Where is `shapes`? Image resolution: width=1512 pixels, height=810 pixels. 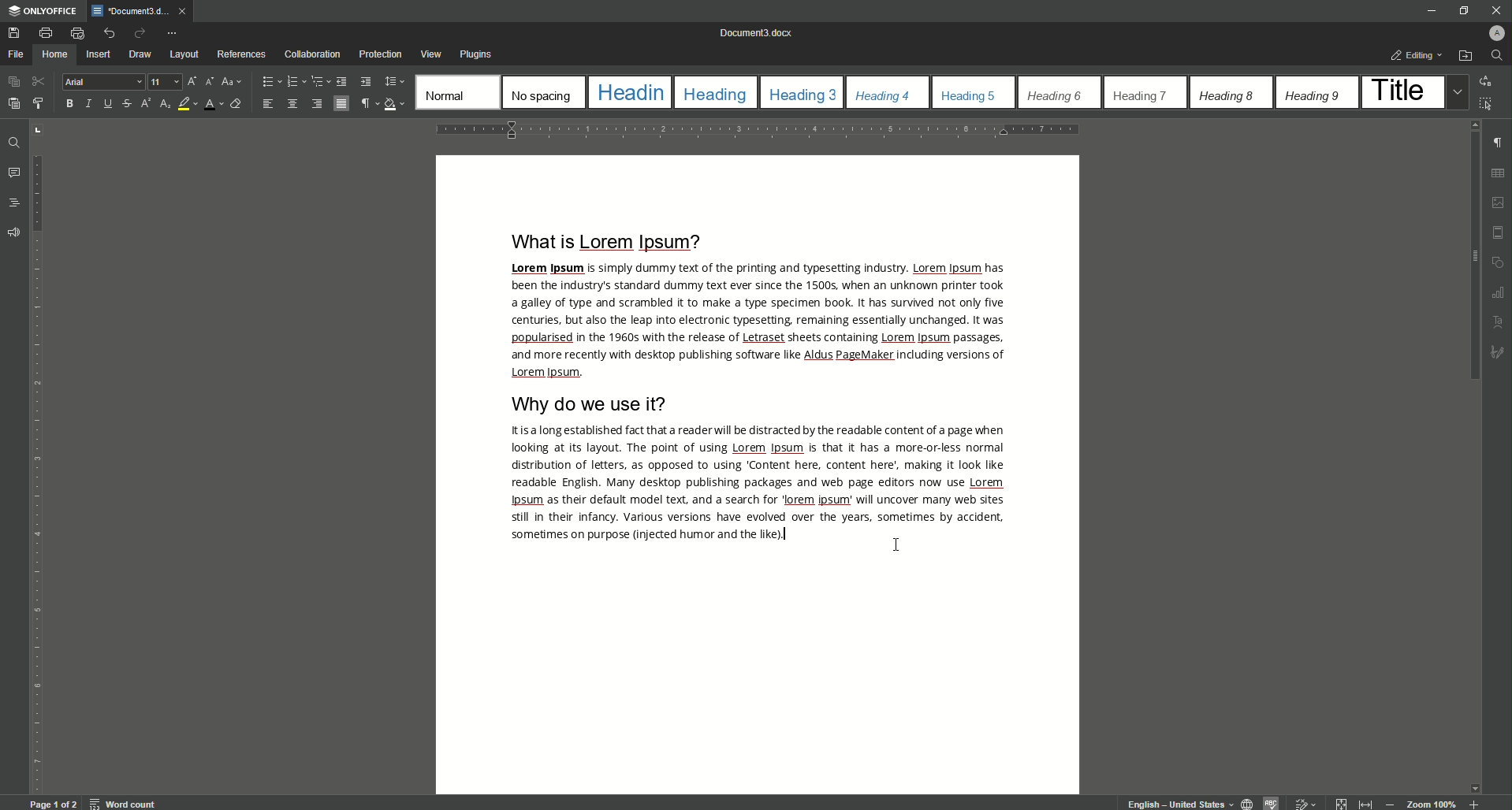 shapes is located at coordinates (1499, 260).